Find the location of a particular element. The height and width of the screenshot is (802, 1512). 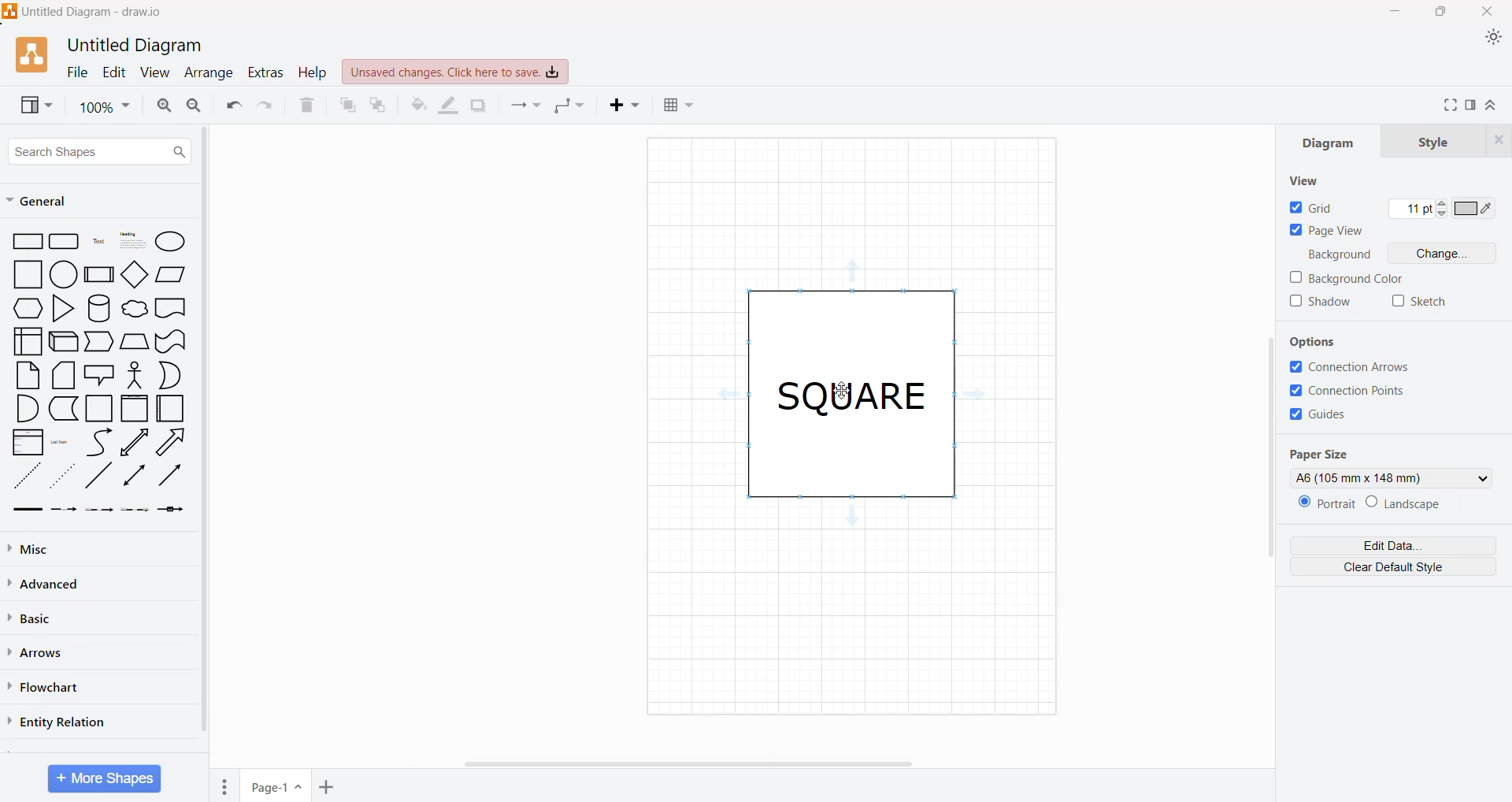

Clear Default Style is located at coordinates (1395, 566).